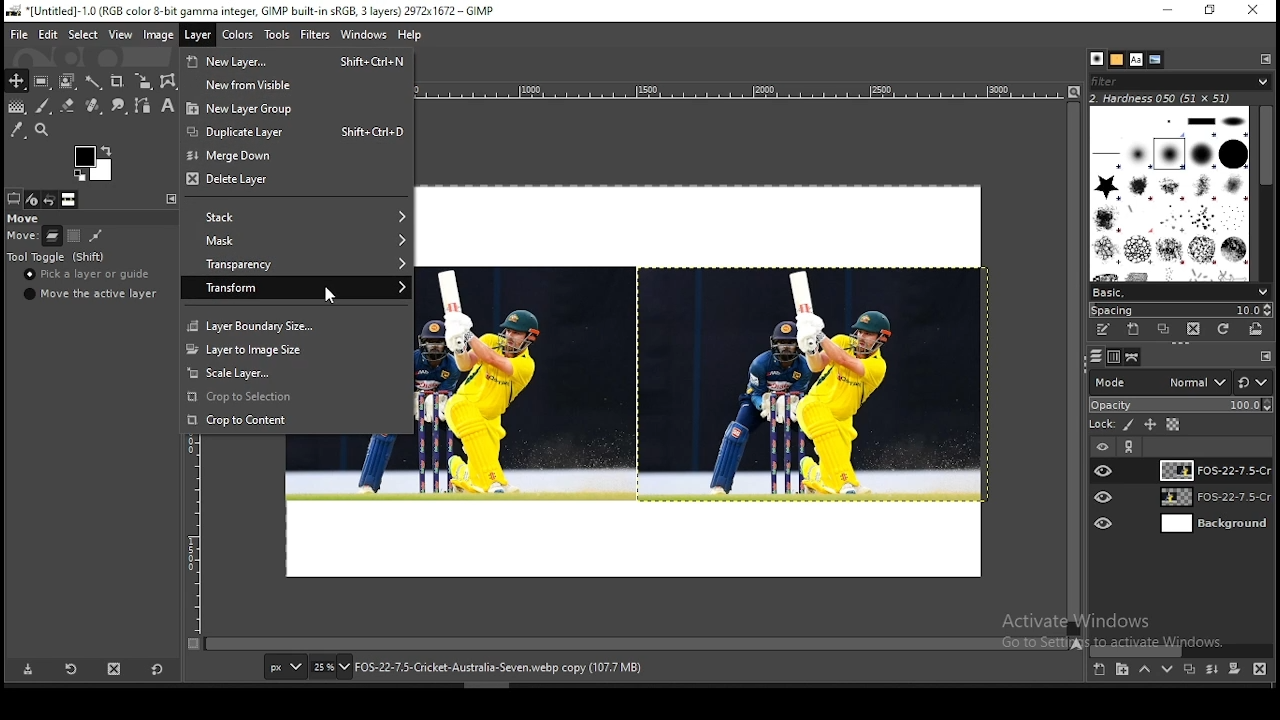 The image size is (1280, 720). What do you see at coordinates (1253, 10) in the screenshot?
I see `close` at bounding box center [1253, 10].